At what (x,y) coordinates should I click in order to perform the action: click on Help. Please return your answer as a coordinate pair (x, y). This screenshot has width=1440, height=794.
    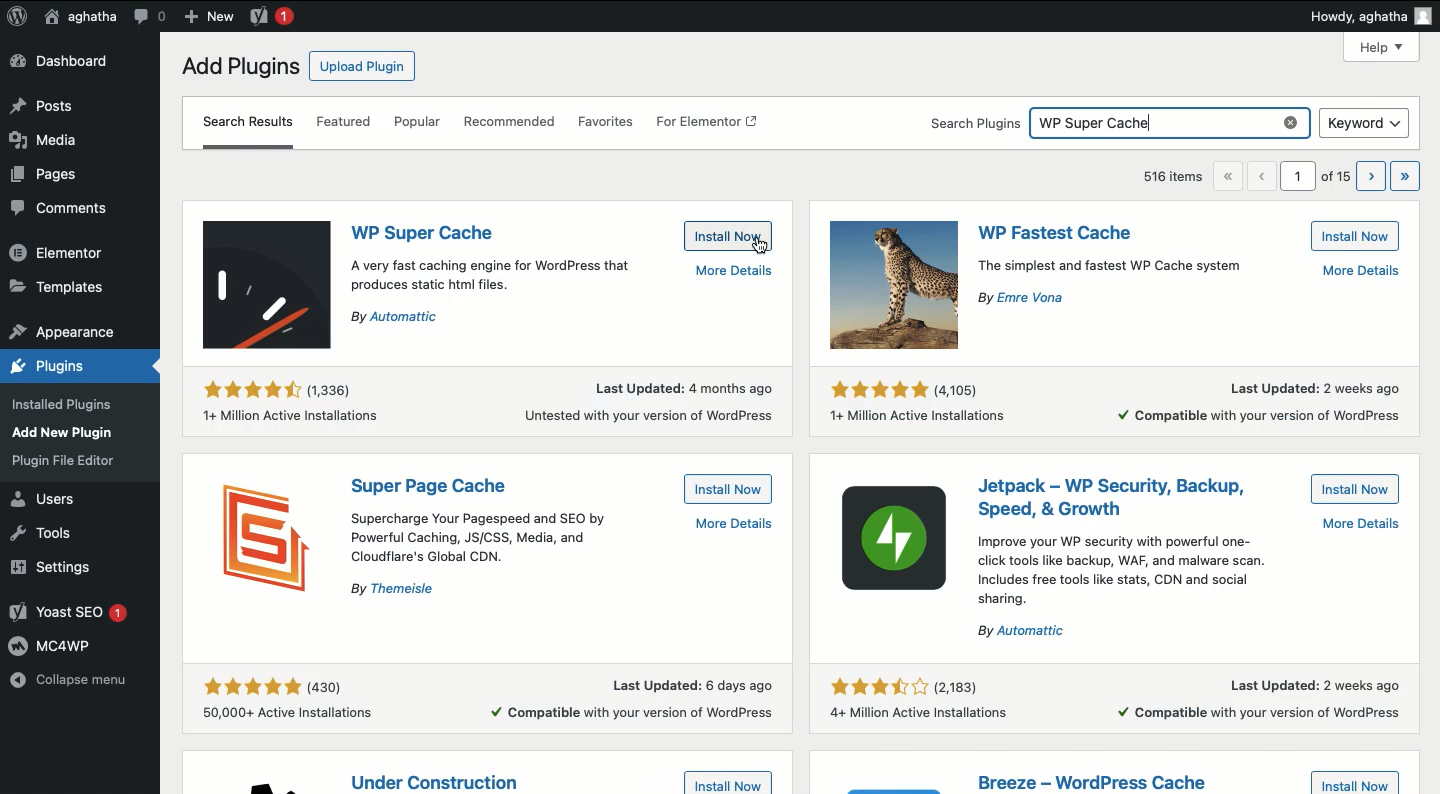
    Looking at the image, I should click on (1383, 48).